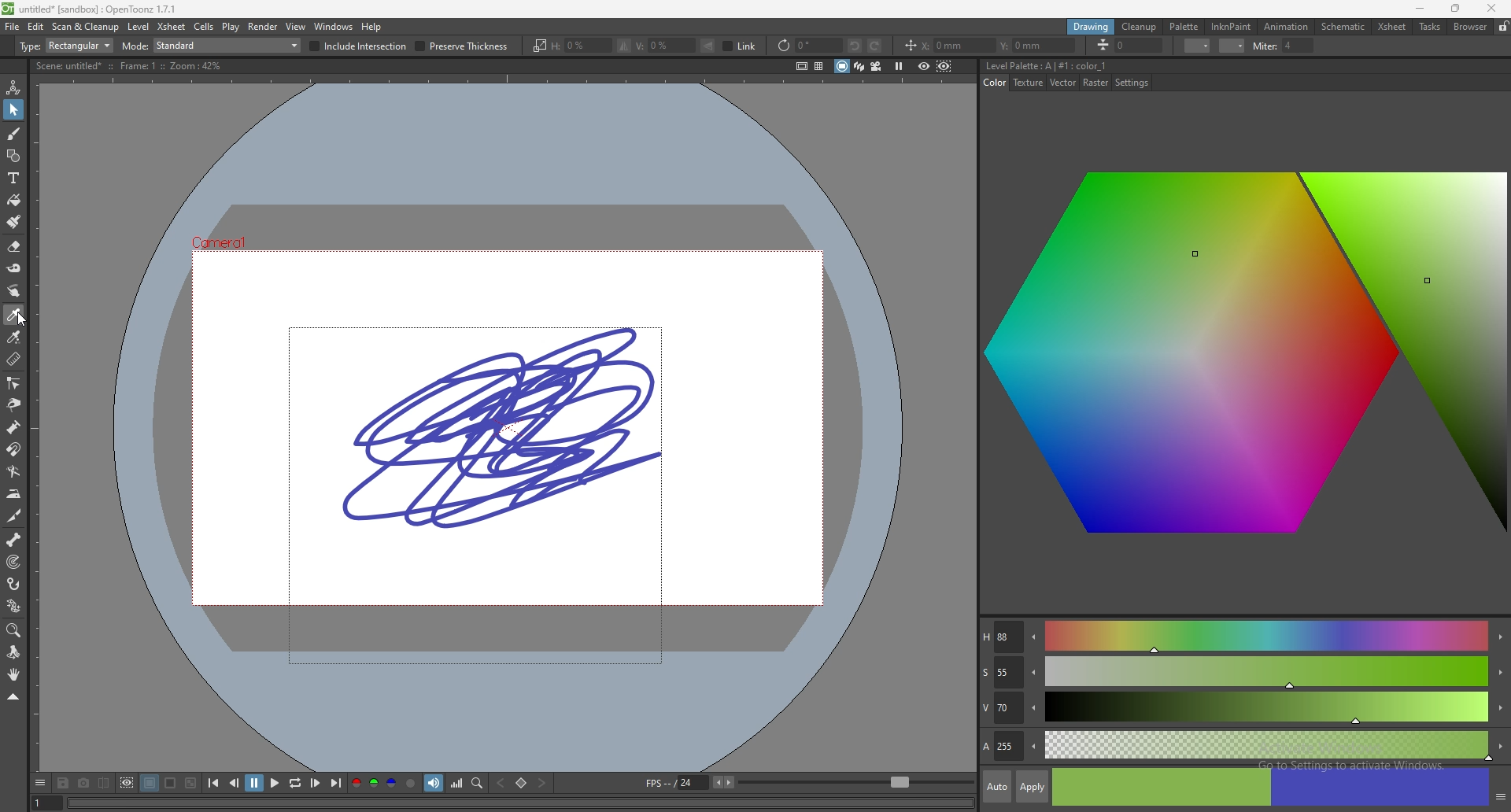 The width and height of the screenshot is (1511, 812). I want to click on title, so click(91, 8).